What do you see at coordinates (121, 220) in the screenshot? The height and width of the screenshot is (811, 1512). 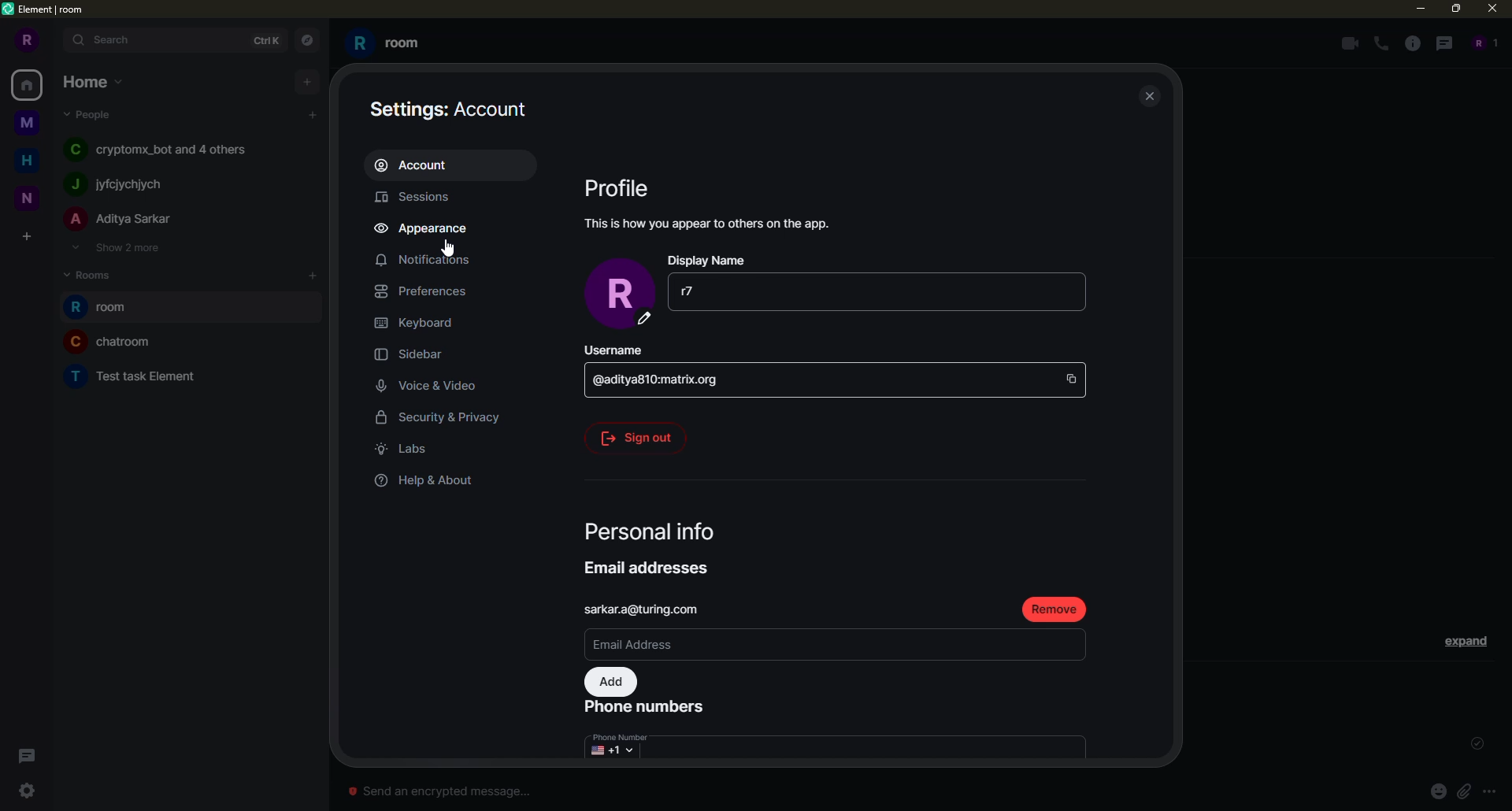 I see `people` at bounding box center [121, 220].